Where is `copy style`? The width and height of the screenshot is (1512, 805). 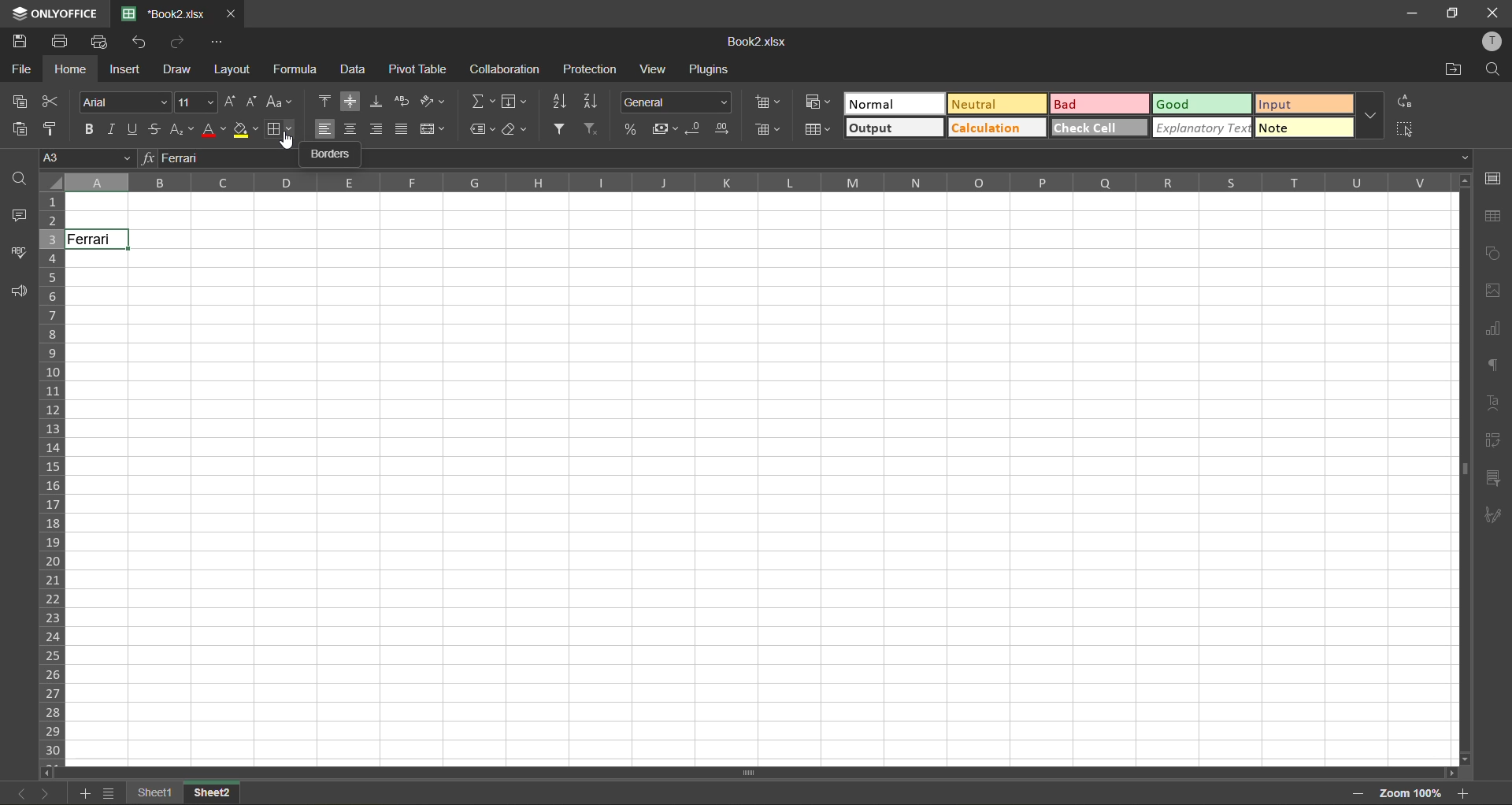 copy style is located at coordinates (52, 130).